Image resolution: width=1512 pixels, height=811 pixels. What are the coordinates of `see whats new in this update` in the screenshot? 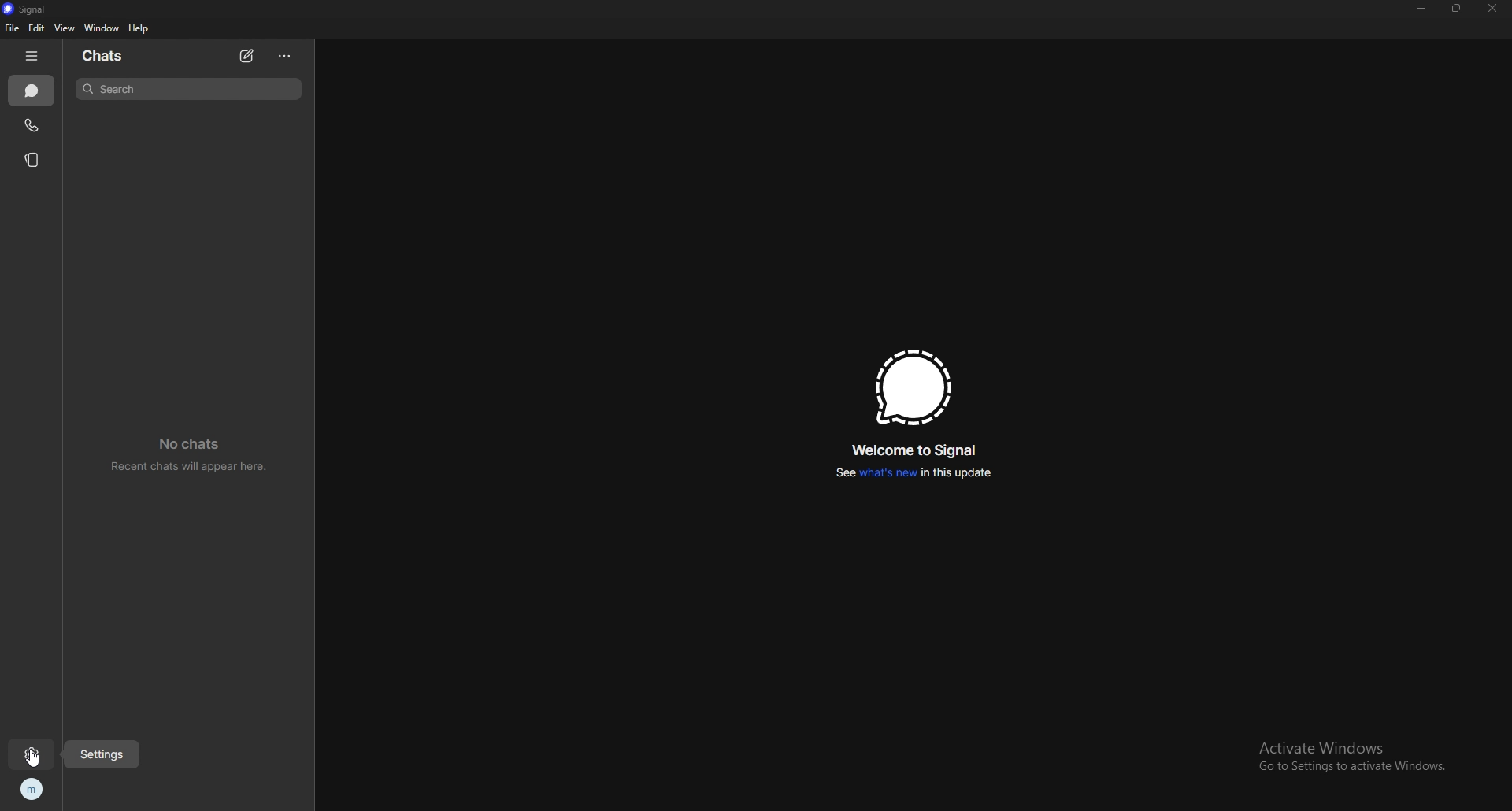 It's located at (910, 472).